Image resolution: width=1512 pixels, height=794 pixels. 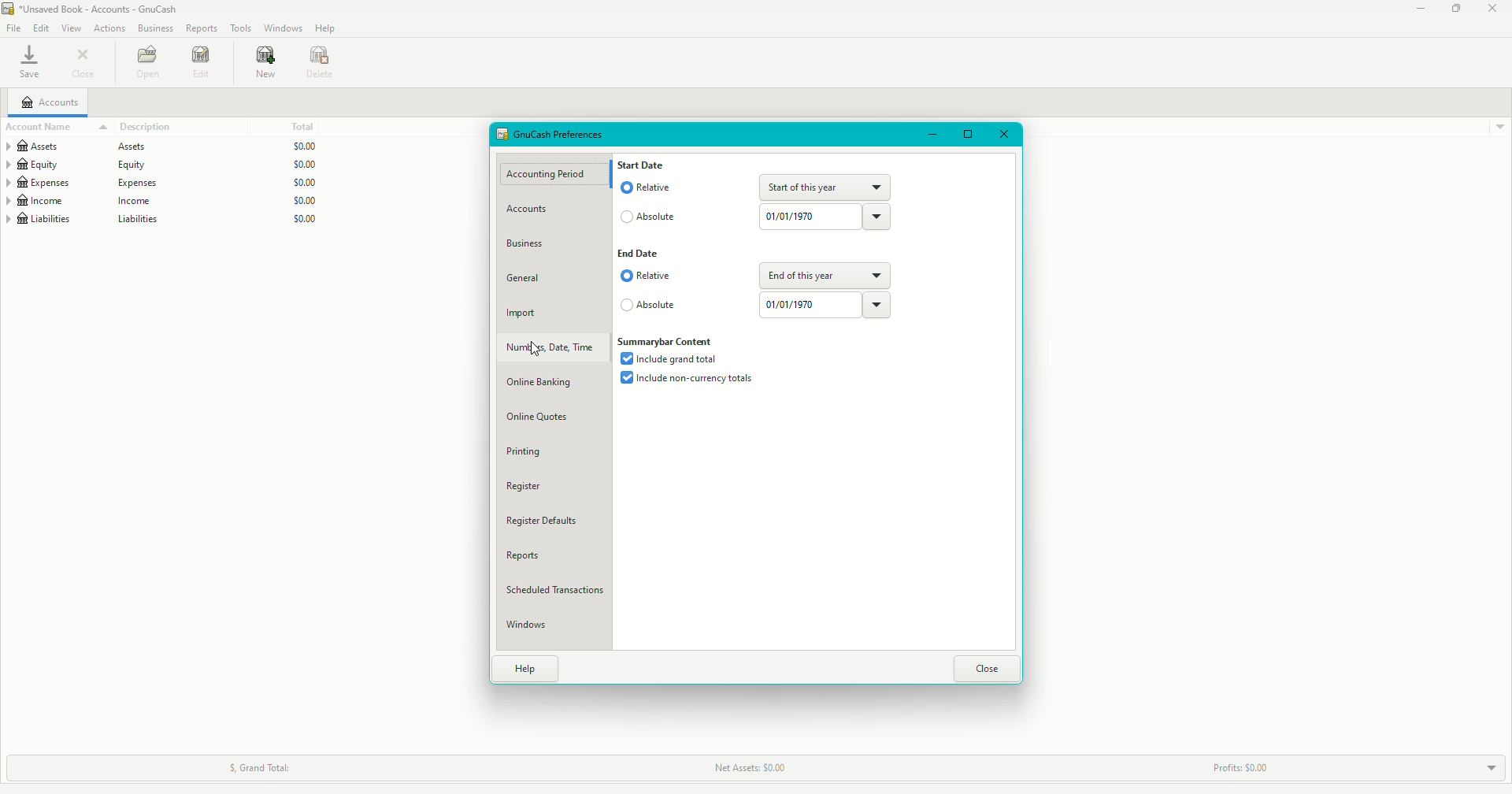 What do you see at coordinates (825, 306) in the screenshot?
I see `Date` at bounding box center [825, 306].